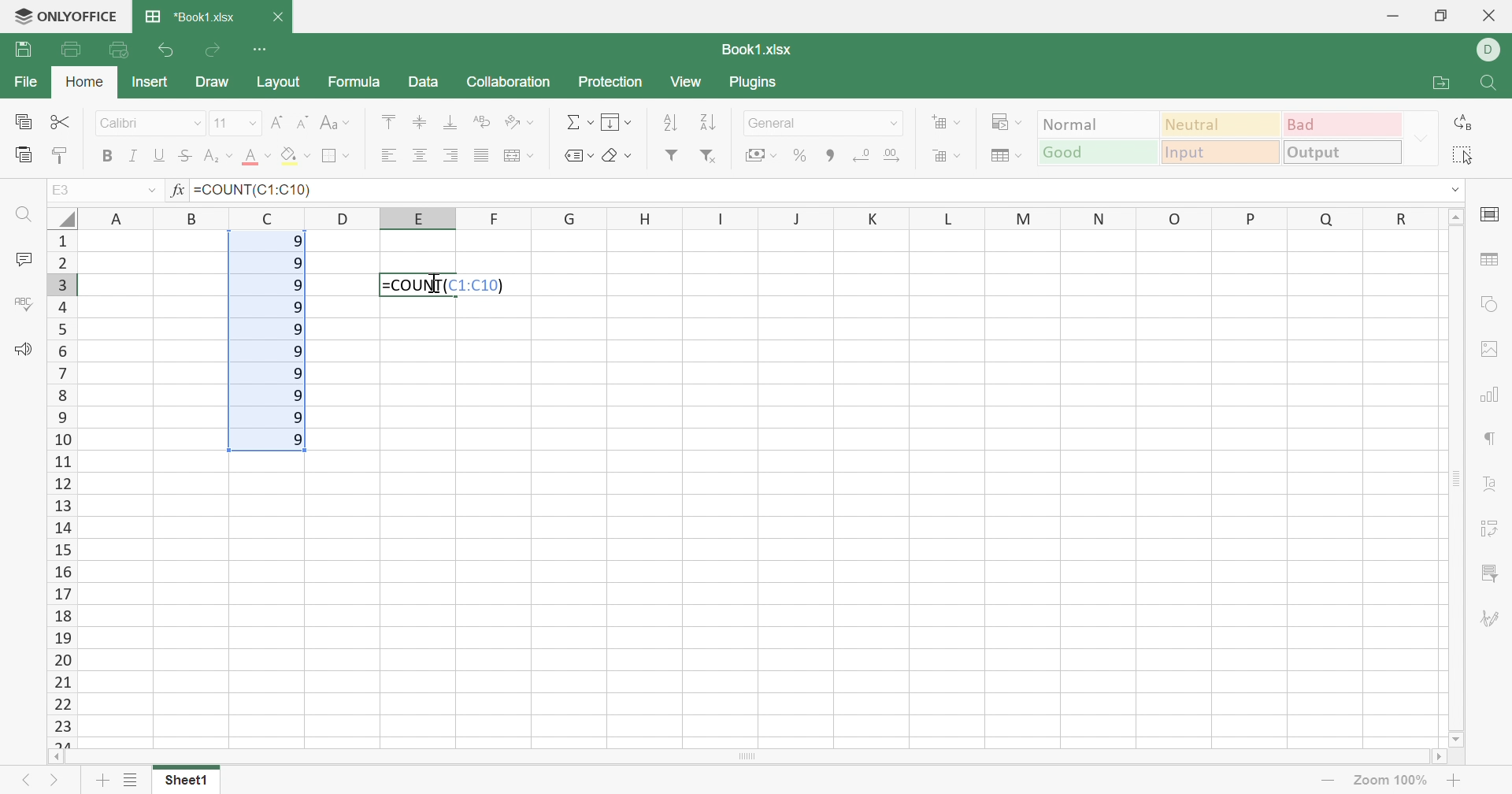  I want to click on 9, so click(298, 283).